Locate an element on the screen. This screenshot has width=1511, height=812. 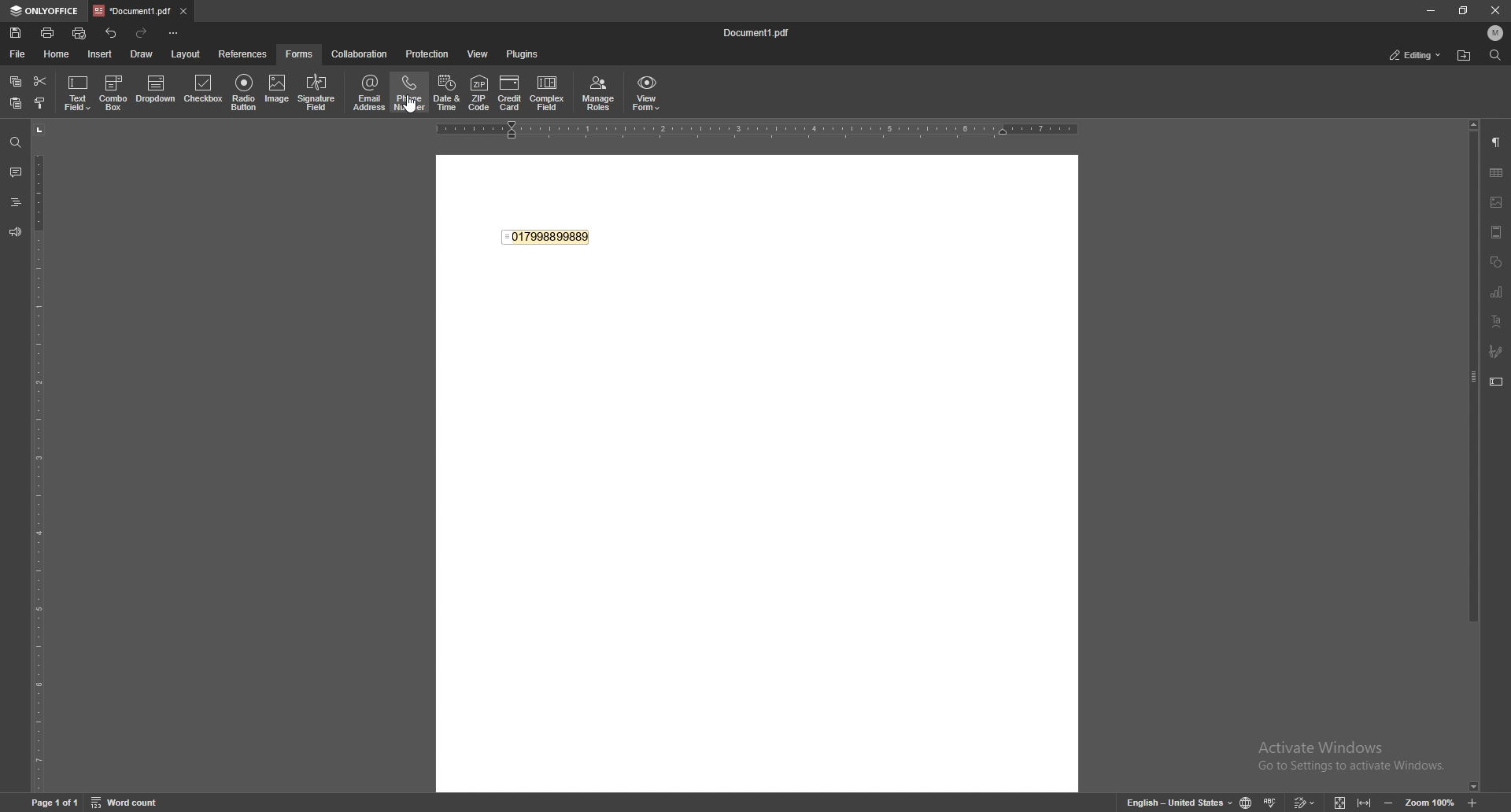
fit to screen is located at coordinates (1341, 803).